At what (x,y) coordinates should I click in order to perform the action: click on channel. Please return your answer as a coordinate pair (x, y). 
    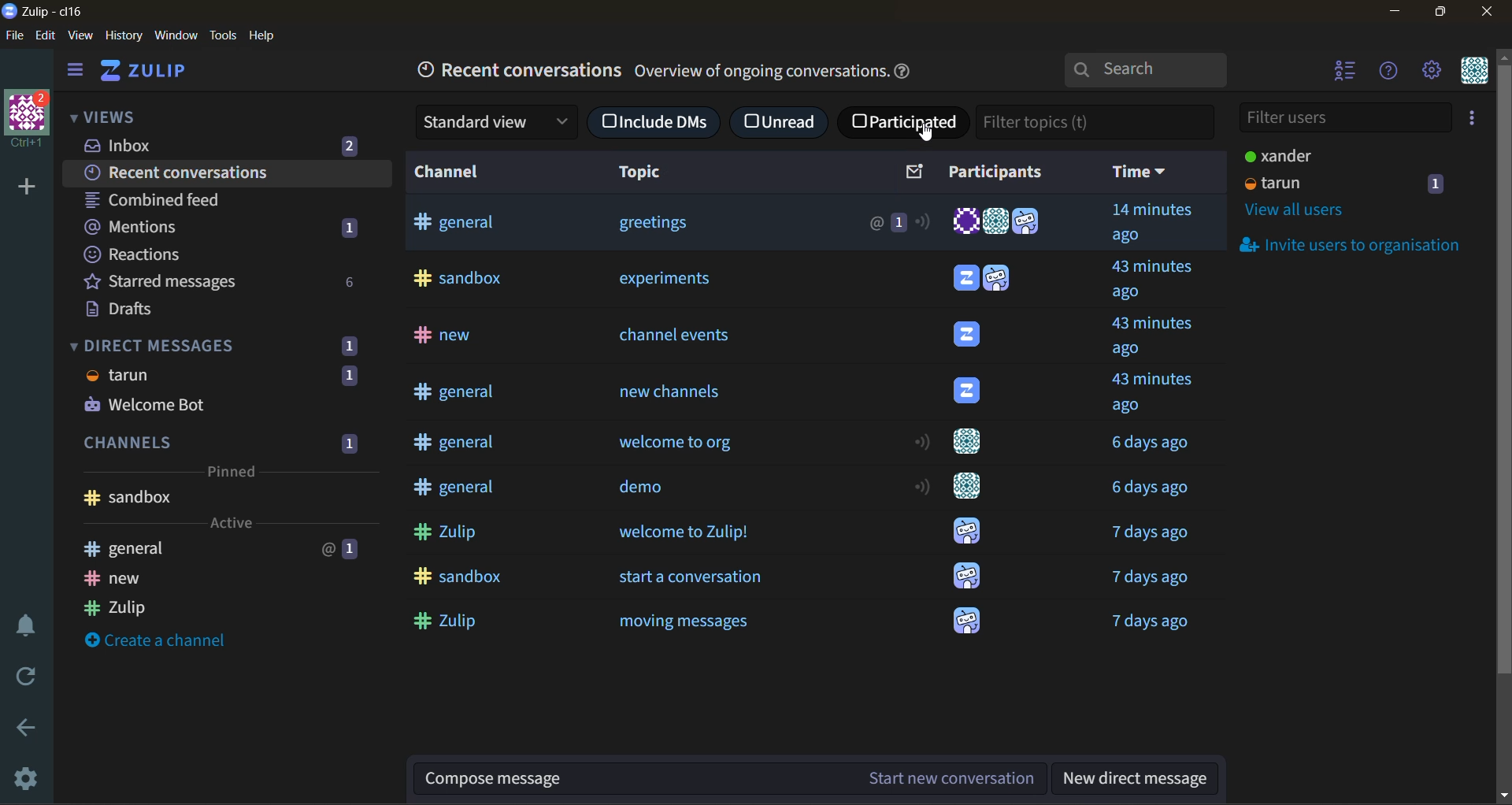
    Looking at the image, I should click on (448, 175).